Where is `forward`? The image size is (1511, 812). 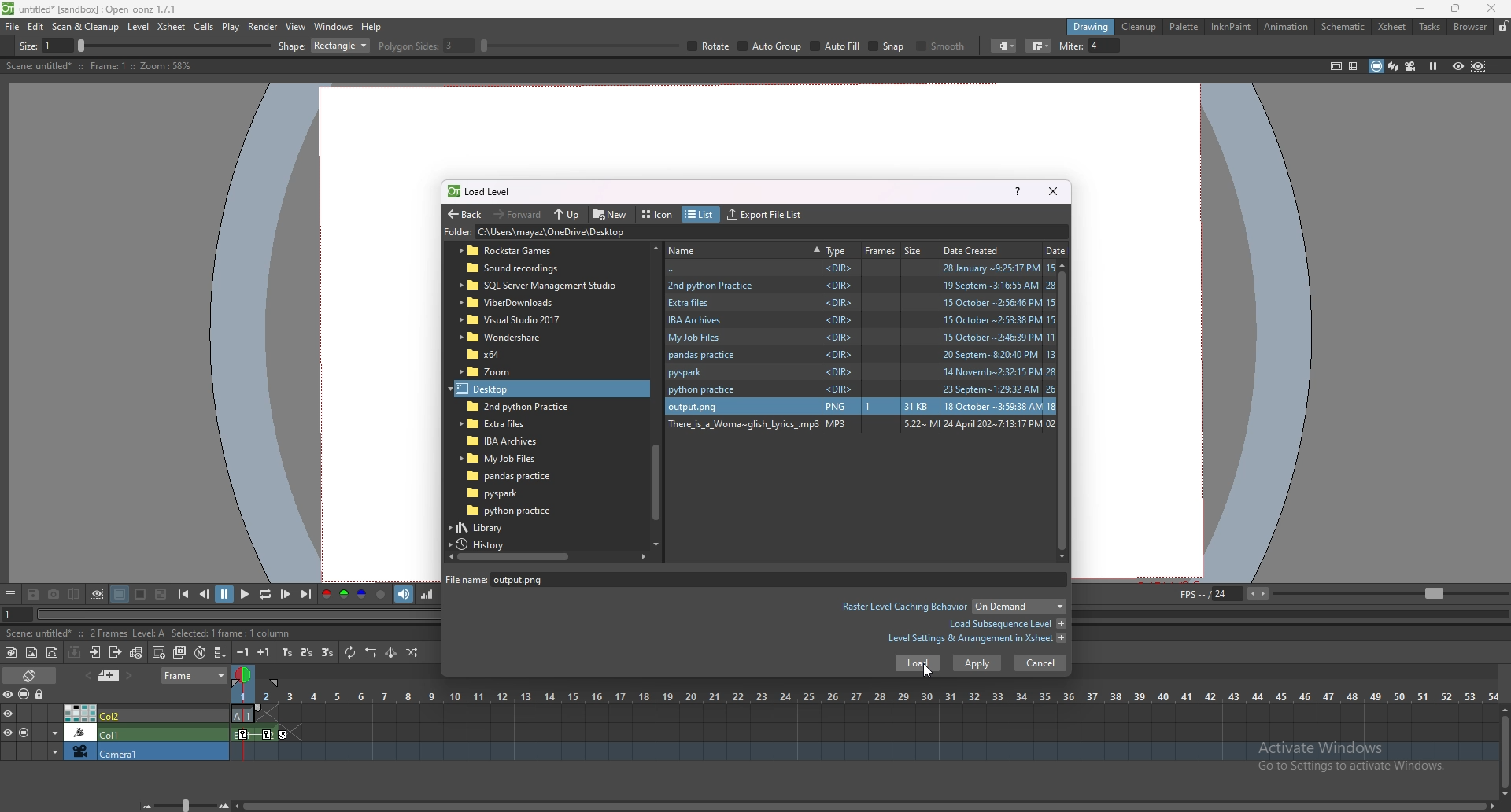 forward is located at coordinates (518, 213).